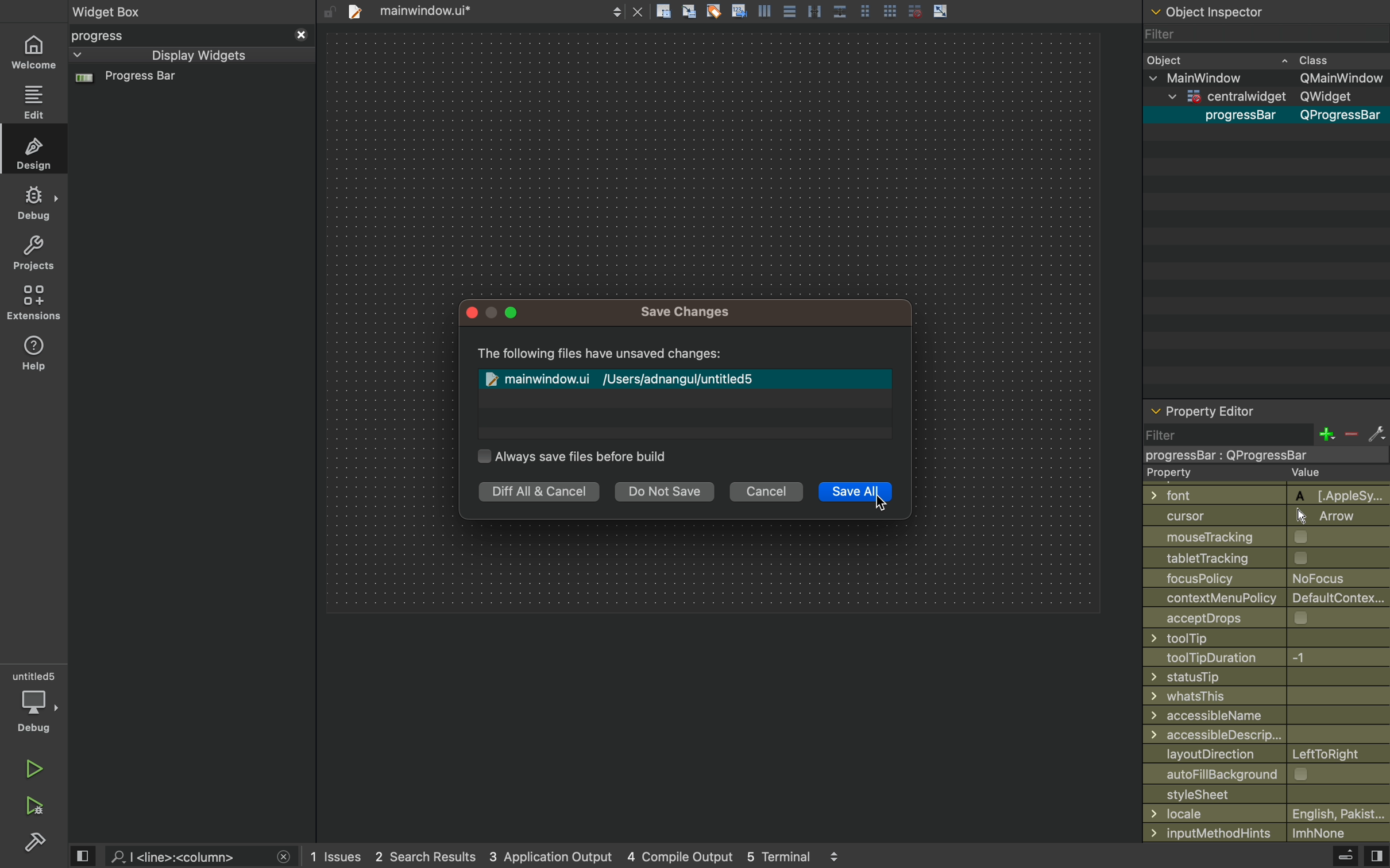 This screenshot has width=1390, height=868. What do you see at coordinates (1267, 10) in the screenshot?
I see `Object inspector` at bounding box center [1267, 10].